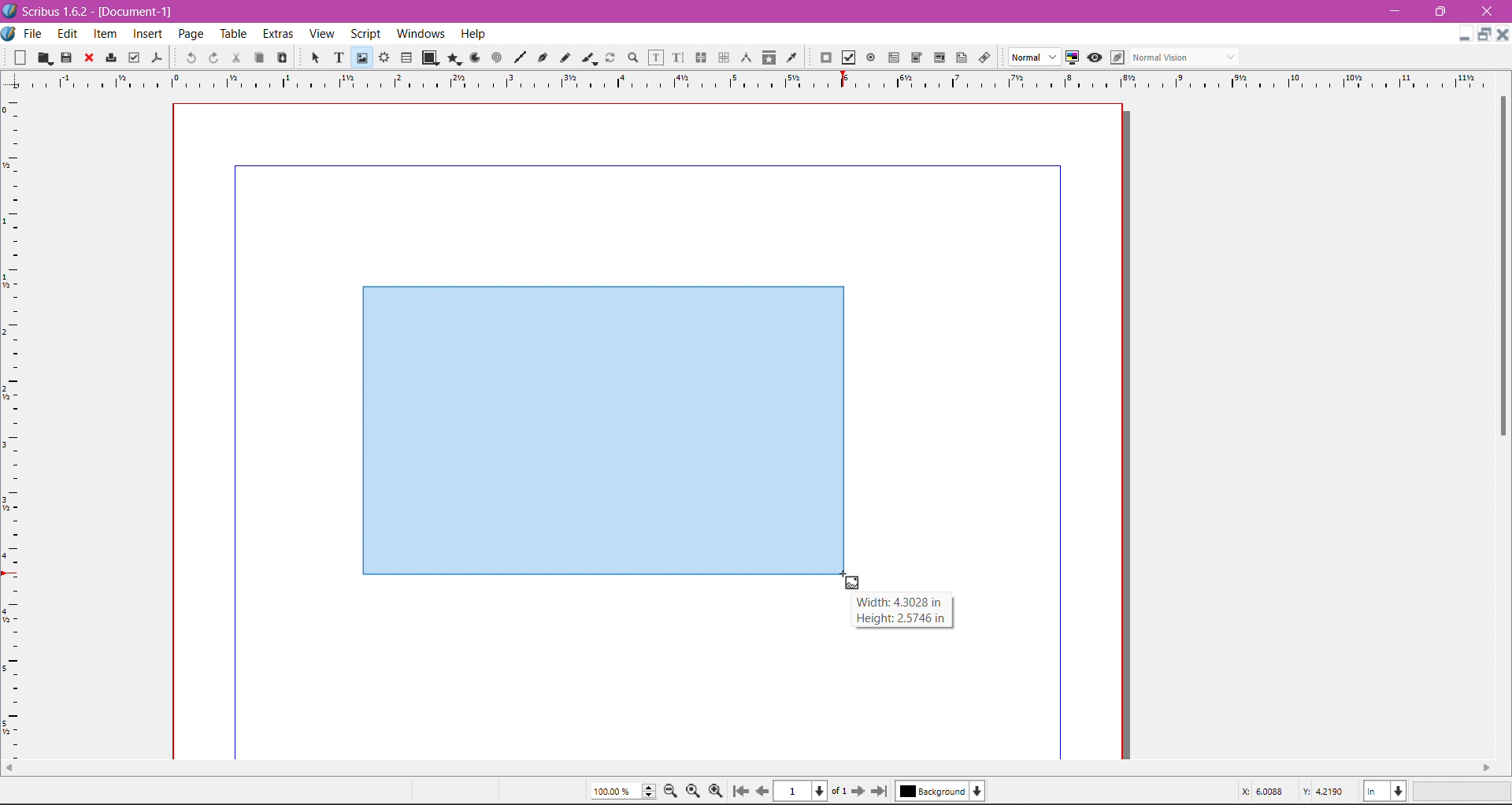 This screenshot has height=805, width=1512. I want to click on View, so click(322, 34).